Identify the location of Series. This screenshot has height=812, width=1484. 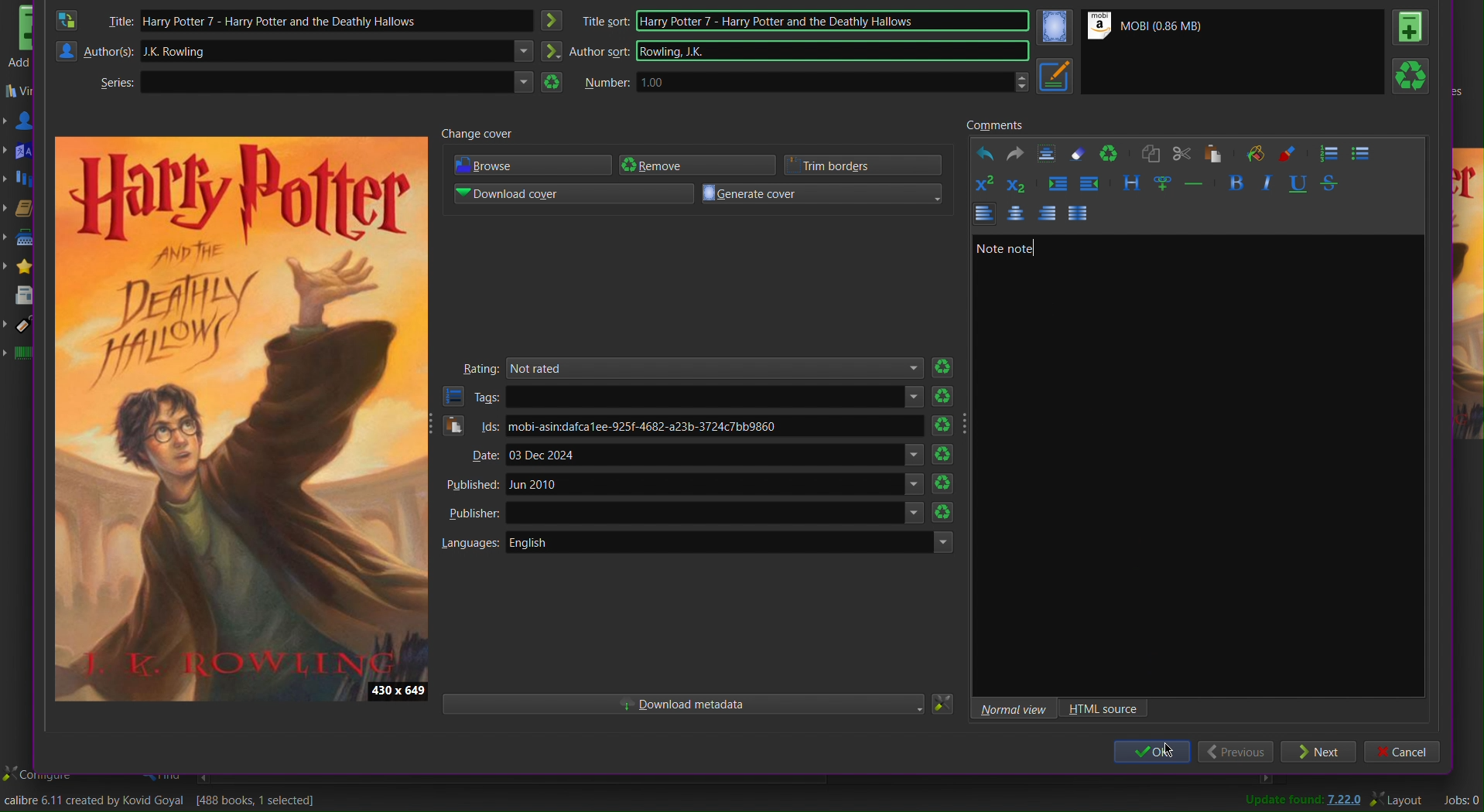
(25, 181).